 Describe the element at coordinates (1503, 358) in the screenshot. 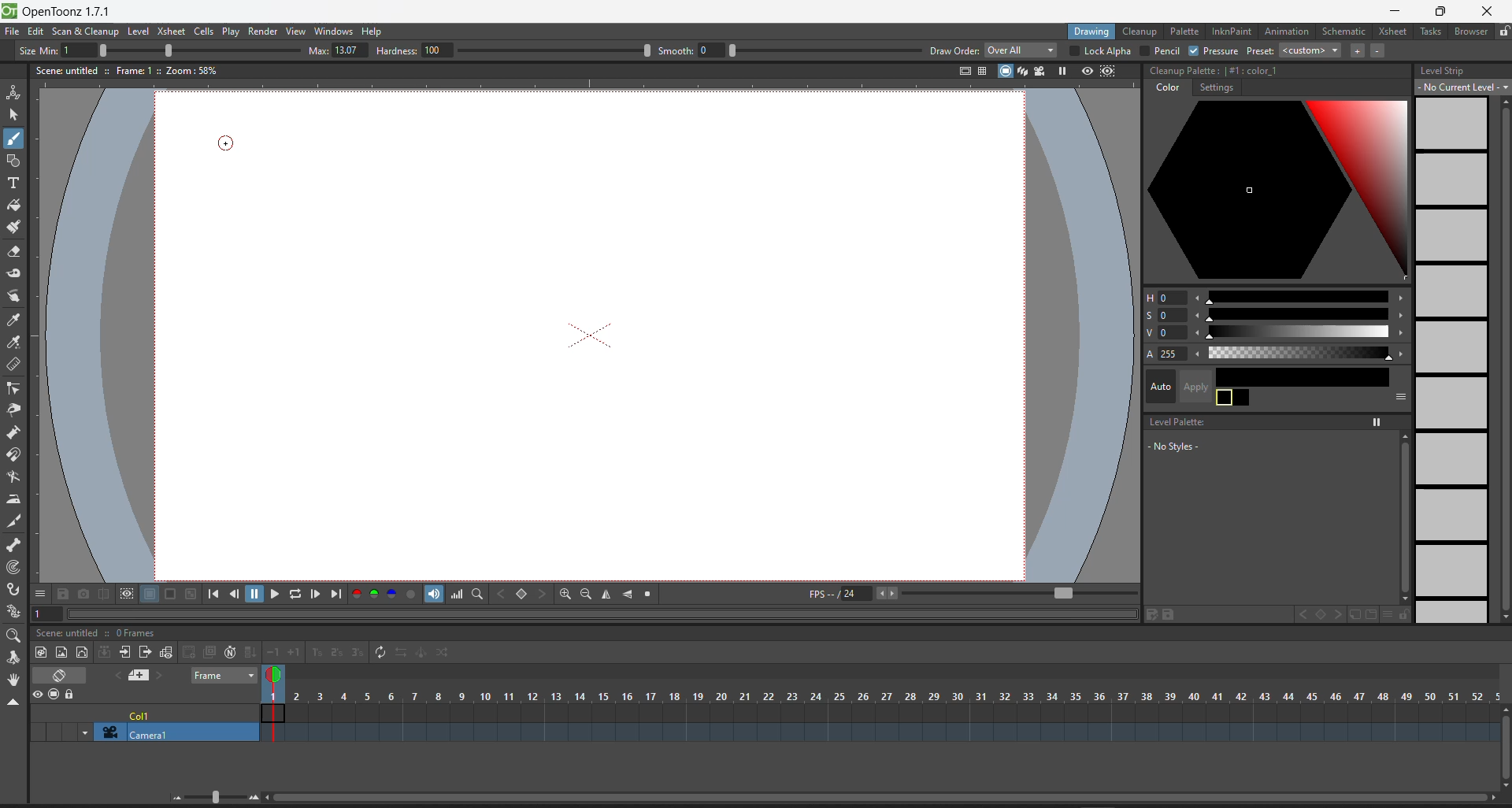

I see `vertical scroll bar` at that location.